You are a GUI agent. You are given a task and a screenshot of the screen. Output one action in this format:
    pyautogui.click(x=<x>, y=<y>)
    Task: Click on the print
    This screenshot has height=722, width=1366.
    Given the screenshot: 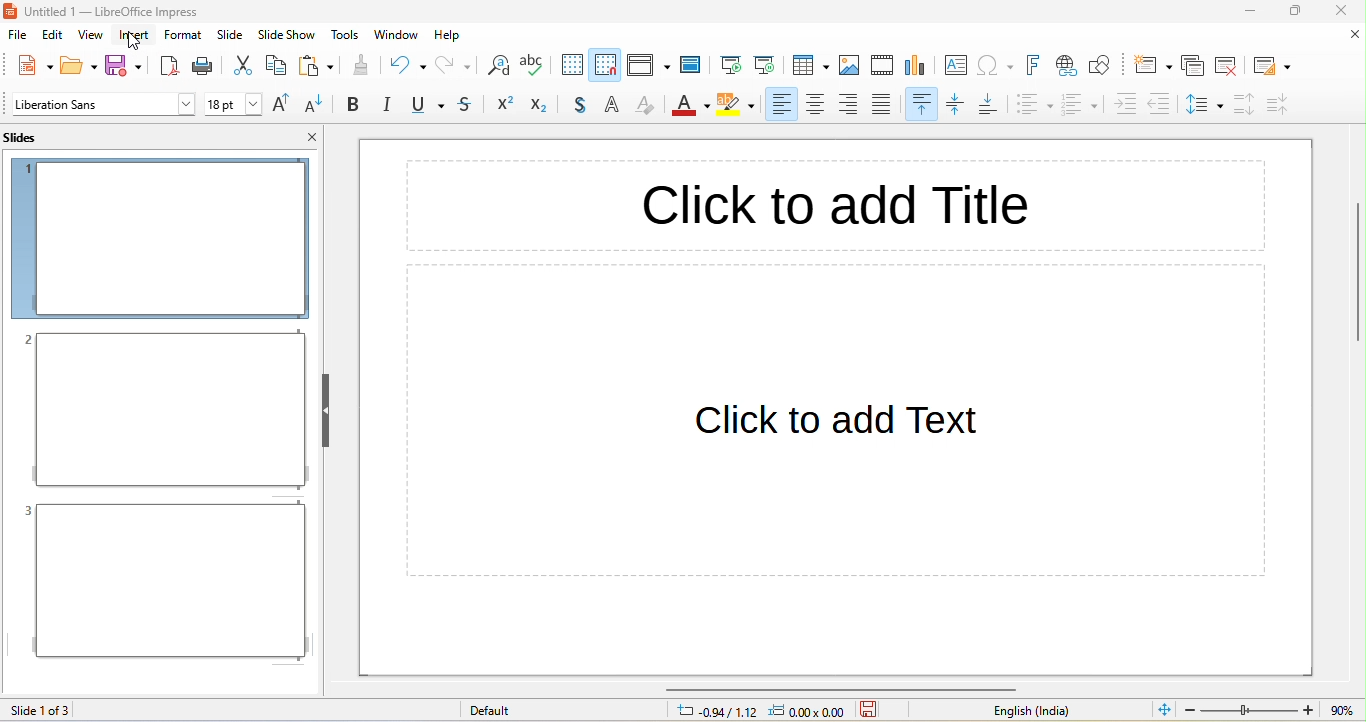 What is the action you would take?
    pyautogui.click(x=205, y=65)
    